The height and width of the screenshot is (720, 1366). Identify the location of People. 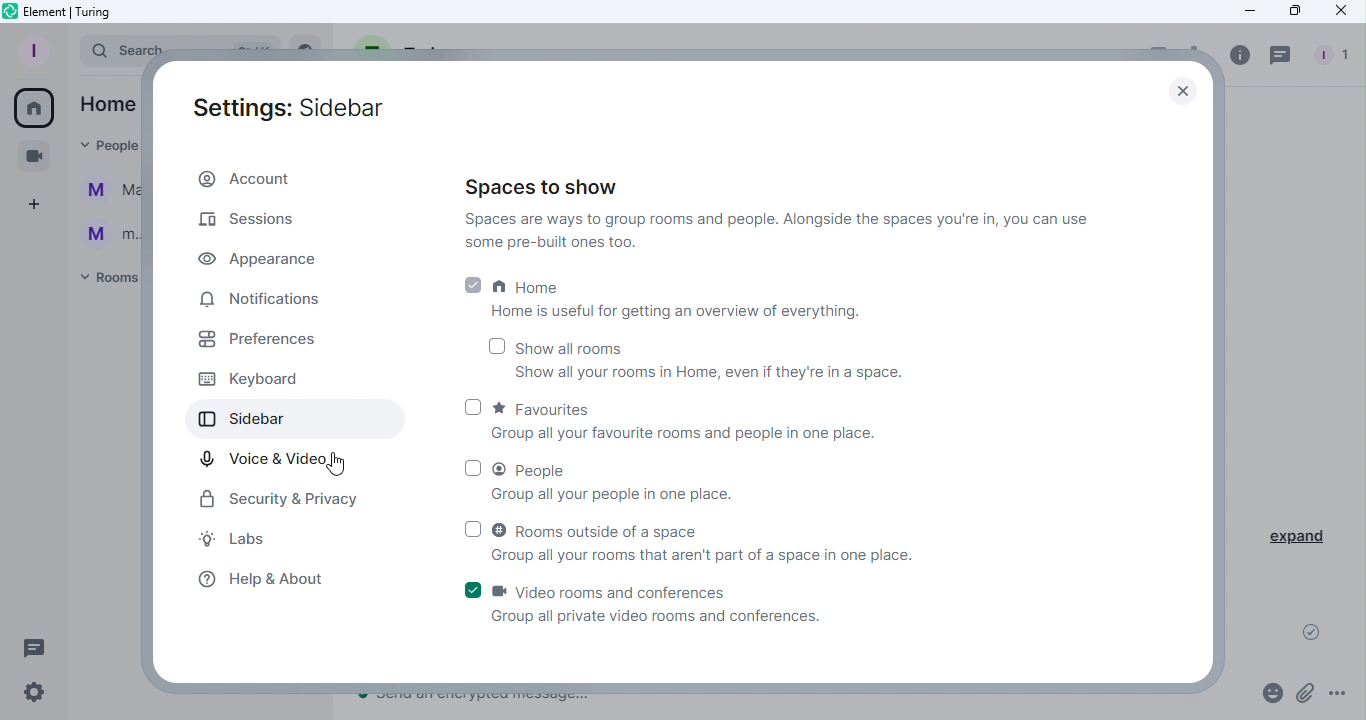
(691, 478).